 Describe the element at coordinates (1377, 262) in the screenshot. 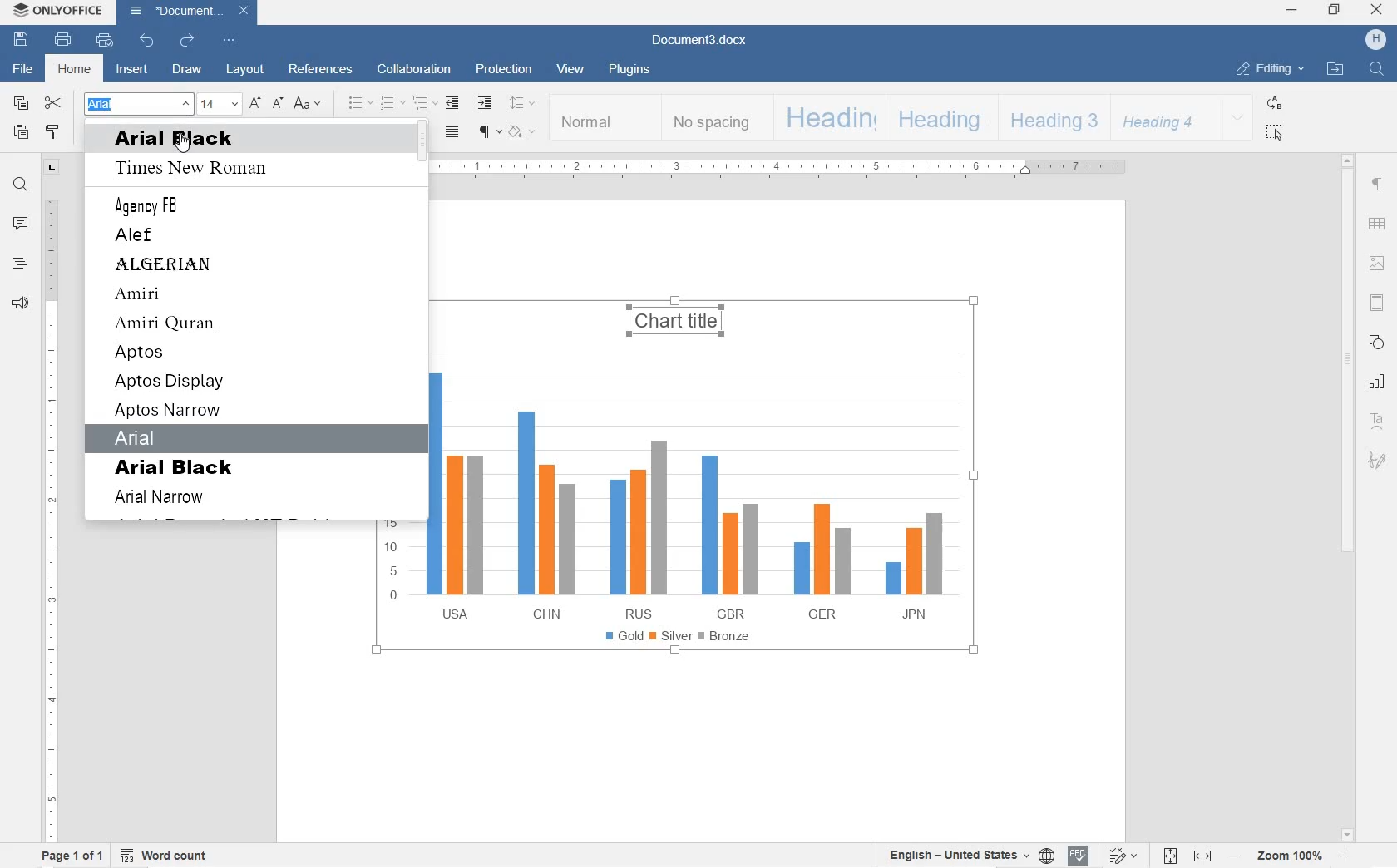

I see `IMAGE SETTINGS` at that location.